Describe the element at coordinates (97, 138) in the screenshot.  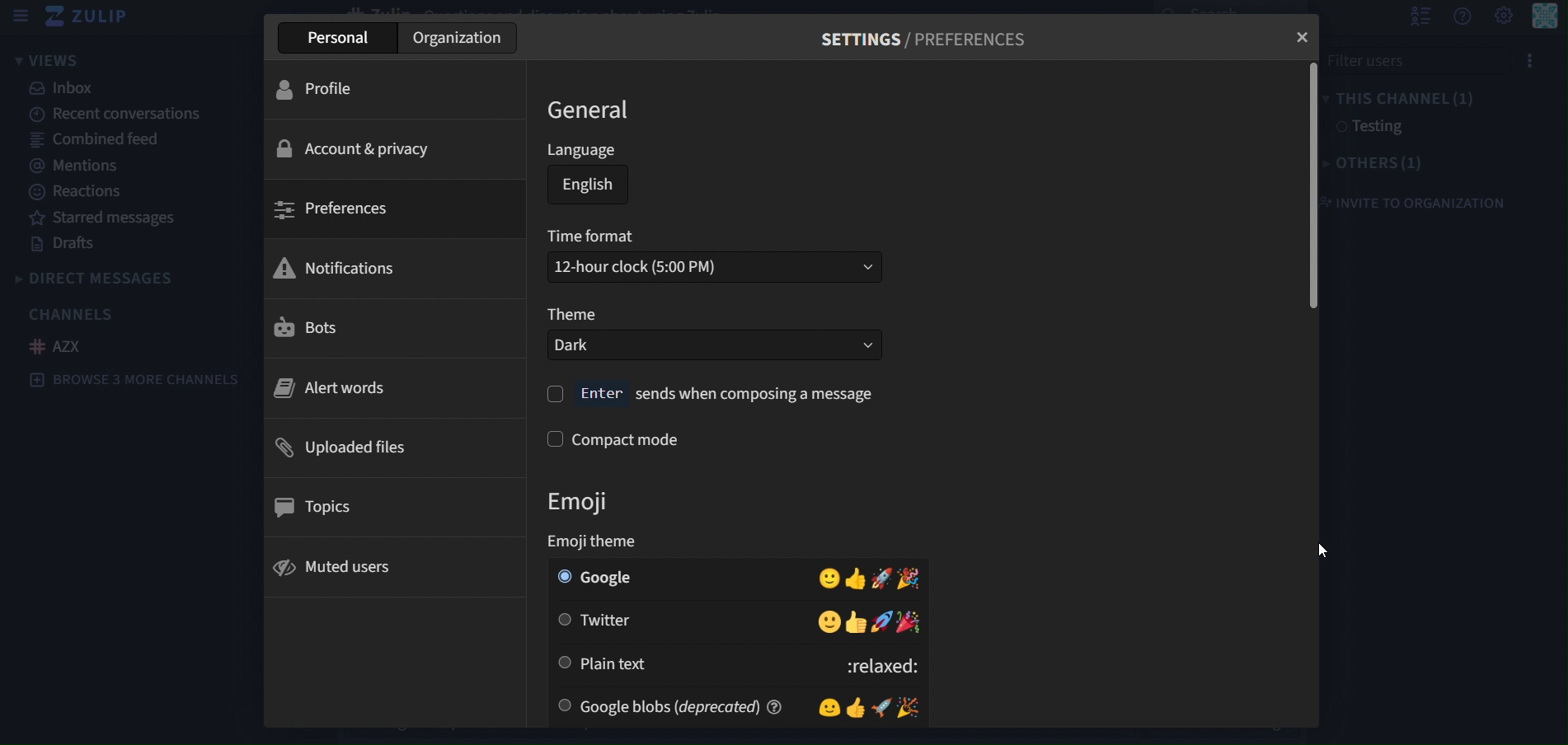
I see `combined feed` at that location.